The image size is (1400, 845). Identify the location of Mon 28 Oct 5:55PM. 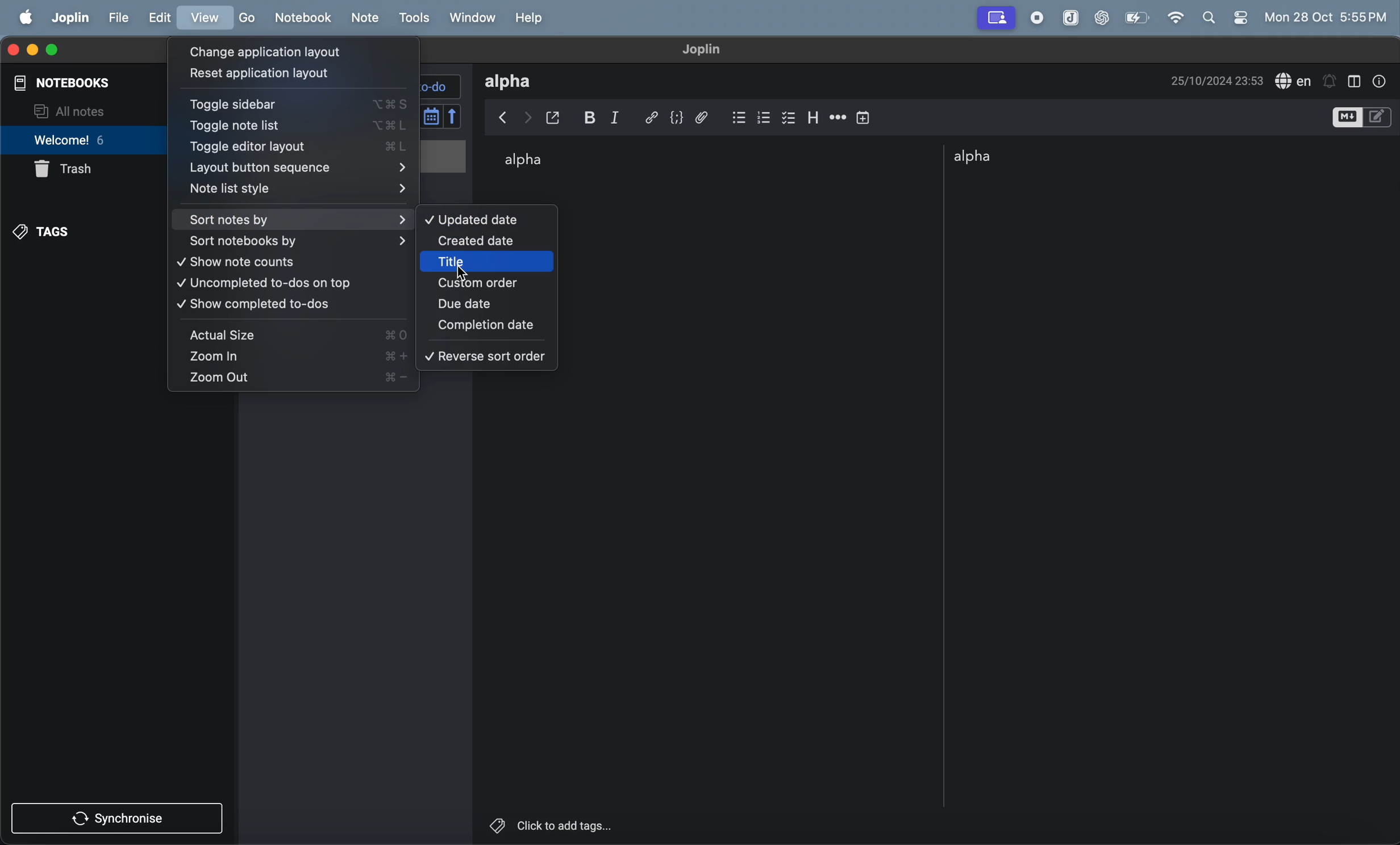
(1327, 18).